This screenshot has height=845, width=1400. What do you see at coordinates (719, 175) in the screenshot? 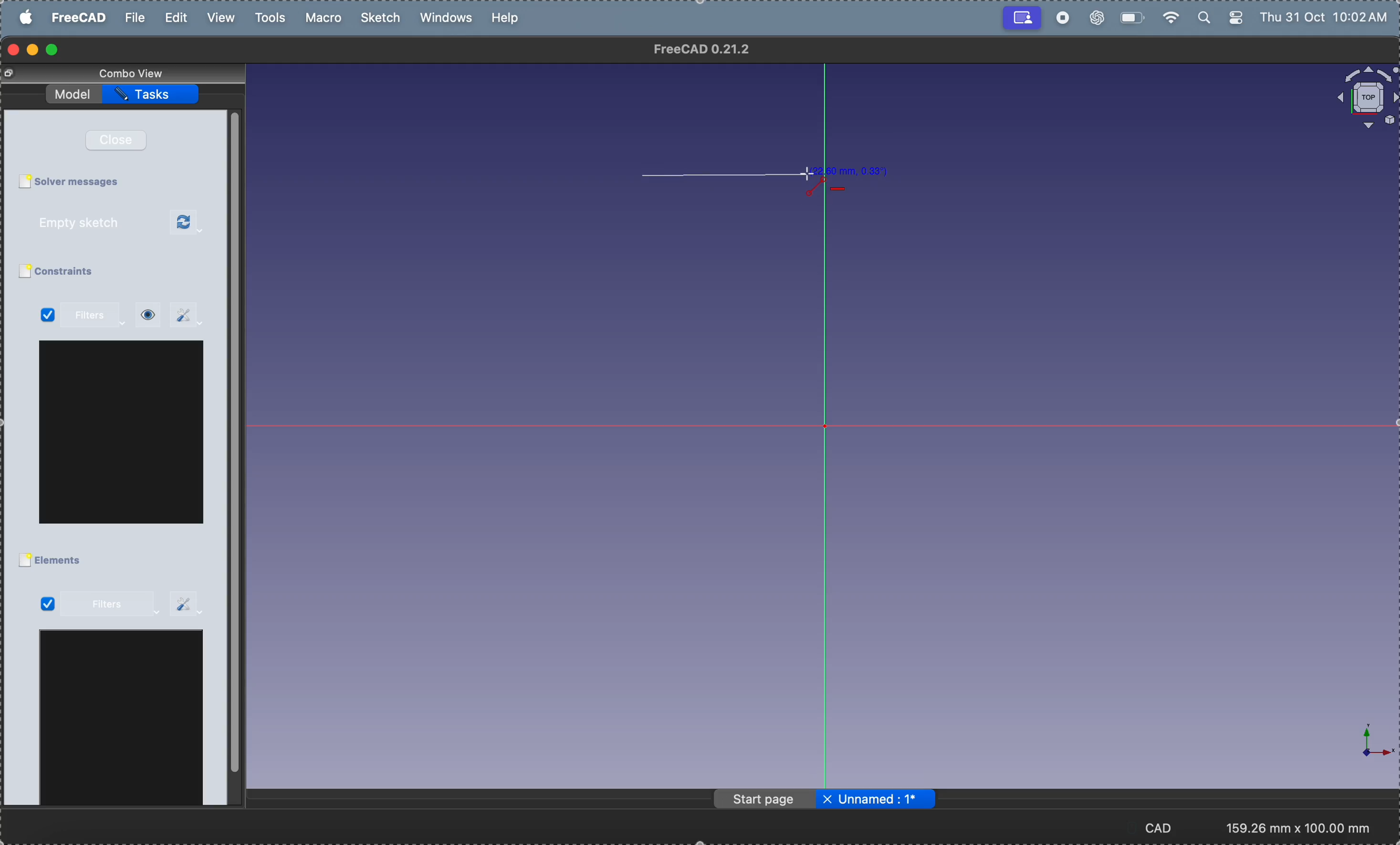
I see `line` at bounding box center [719, 175].